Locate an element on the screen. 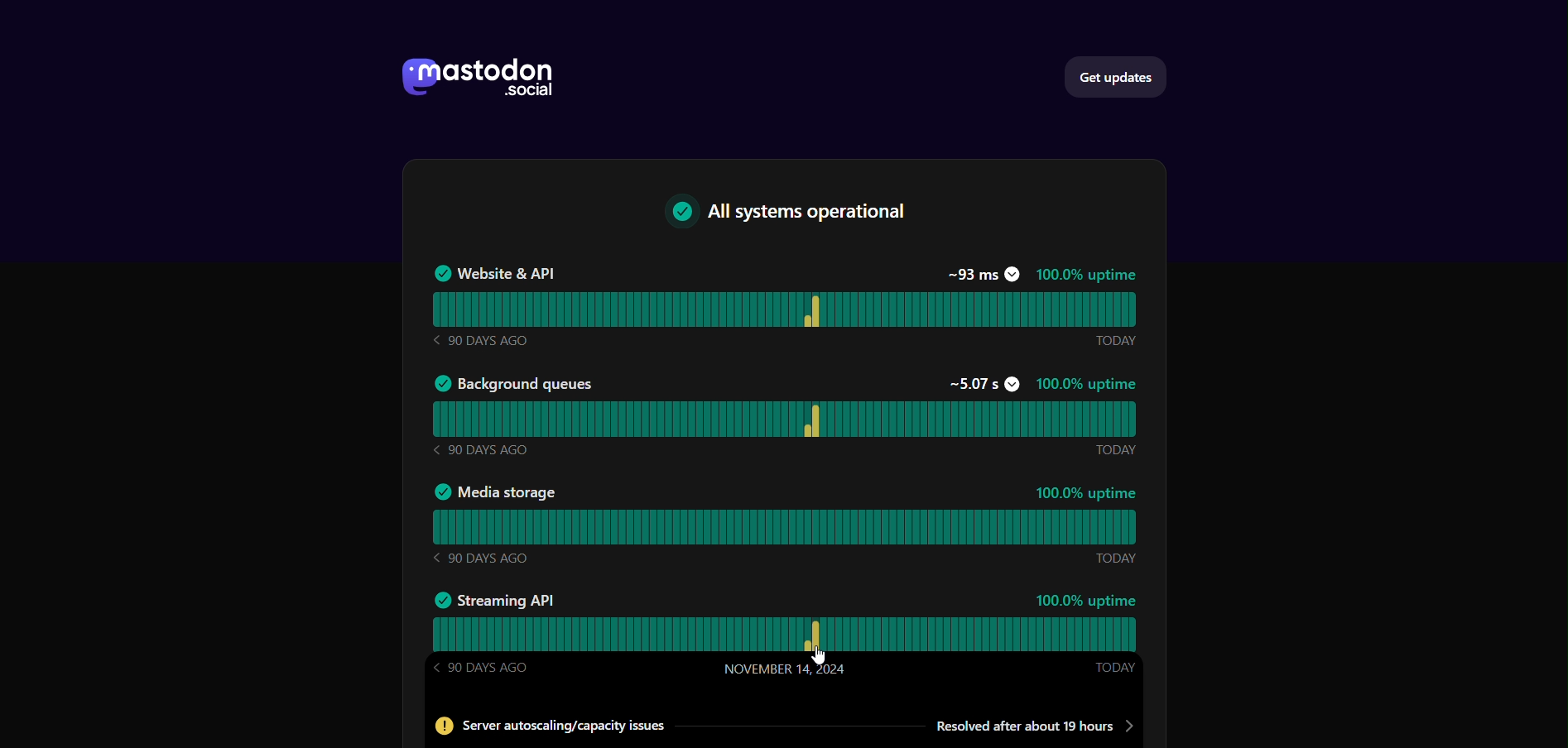 The height and width of the screenshot is (748, 1568). Website & API is located at coordinates (493, 273).